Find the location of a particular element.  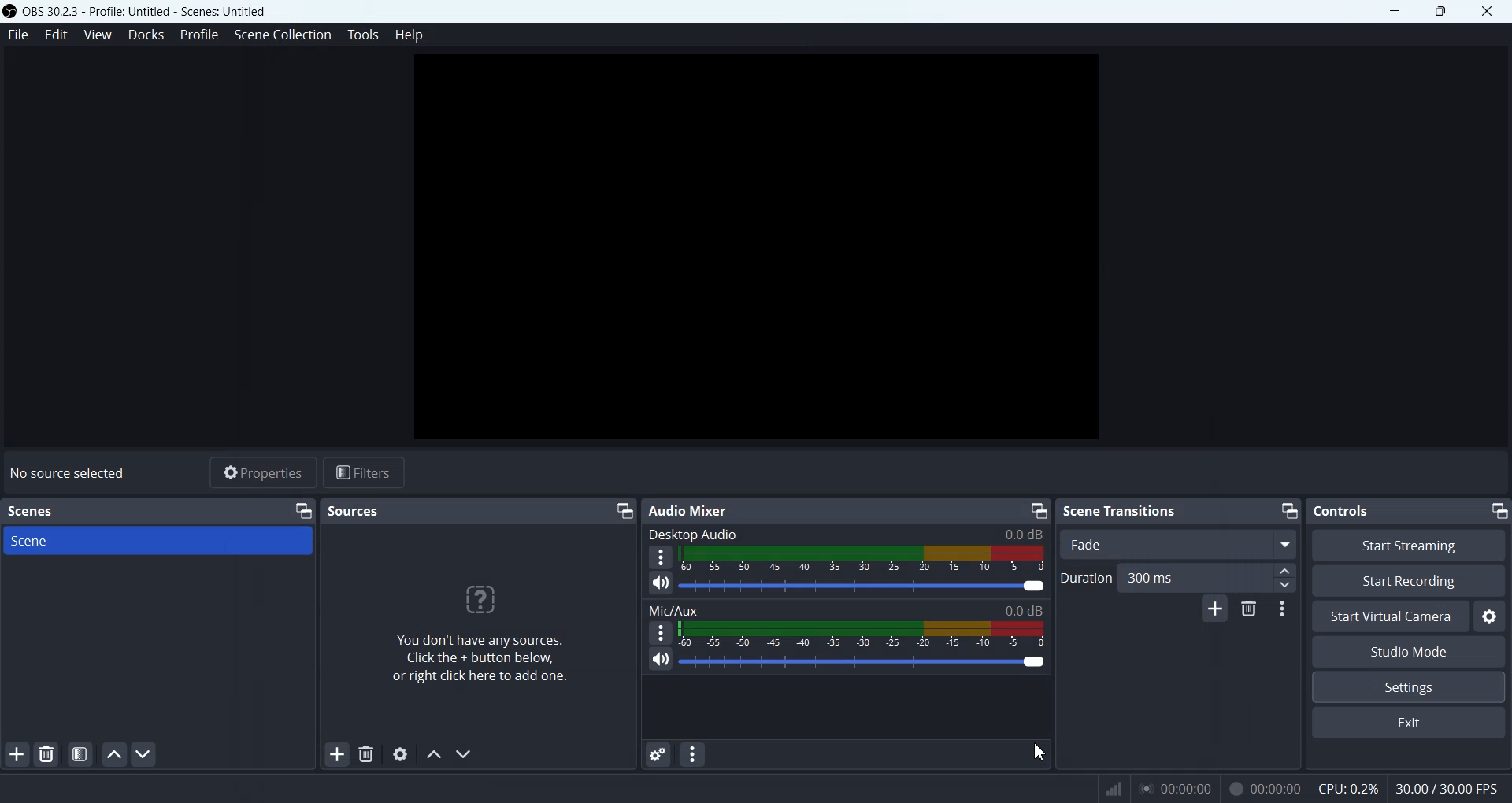

Minimize is located at coordinates (1498, 509).